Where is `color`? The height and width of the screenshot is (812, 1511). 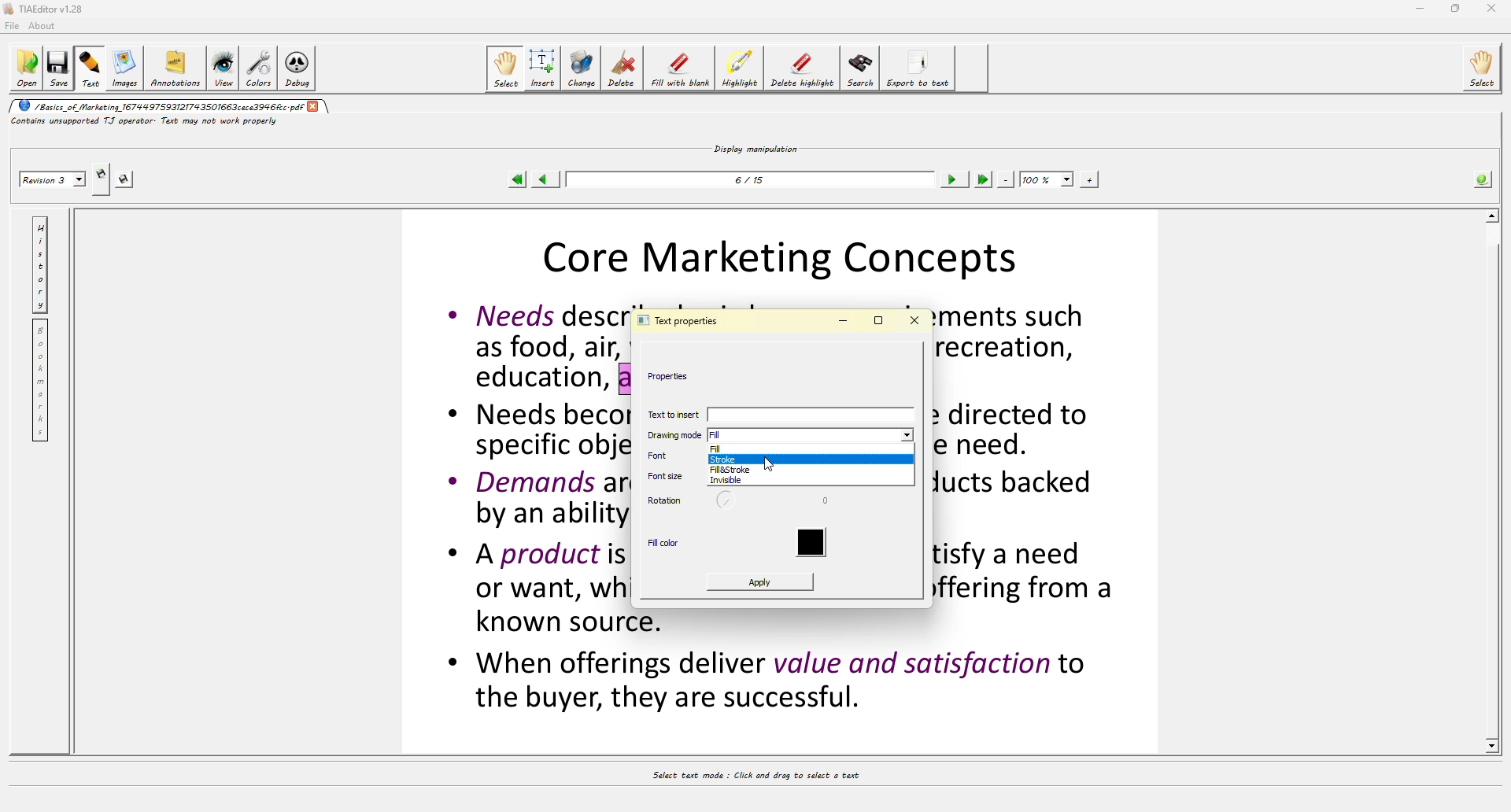
color is located at coordinates (811, 540).